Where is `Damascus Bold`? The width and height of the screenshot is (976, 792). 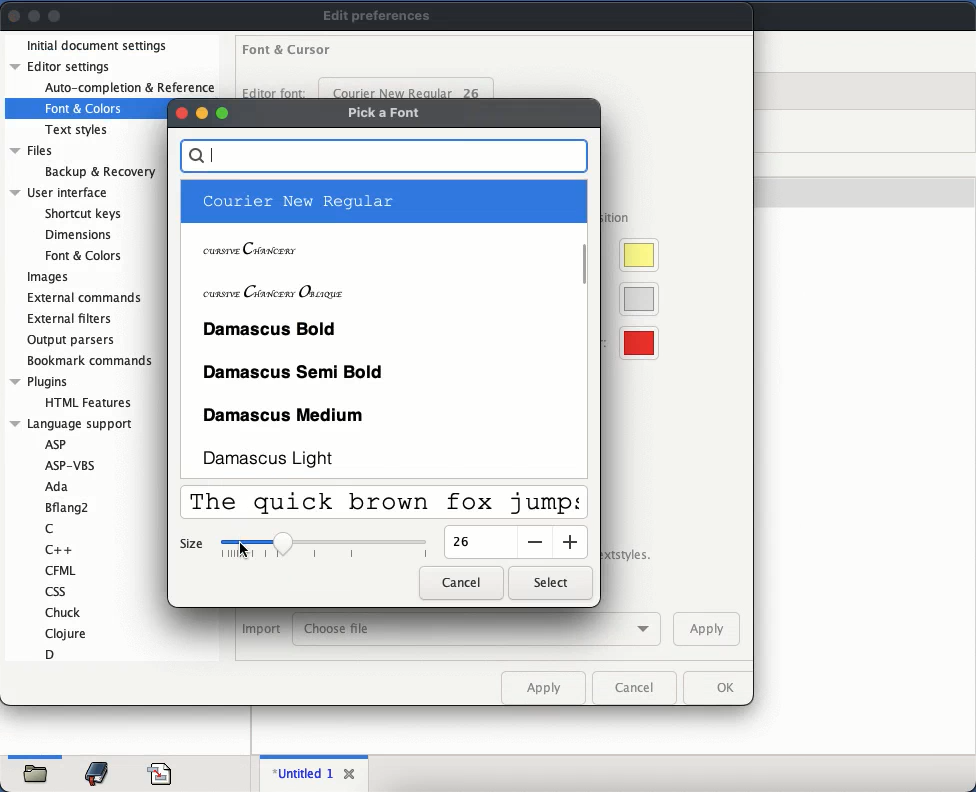 Damascus Bold is located at coordinates (273, 327).